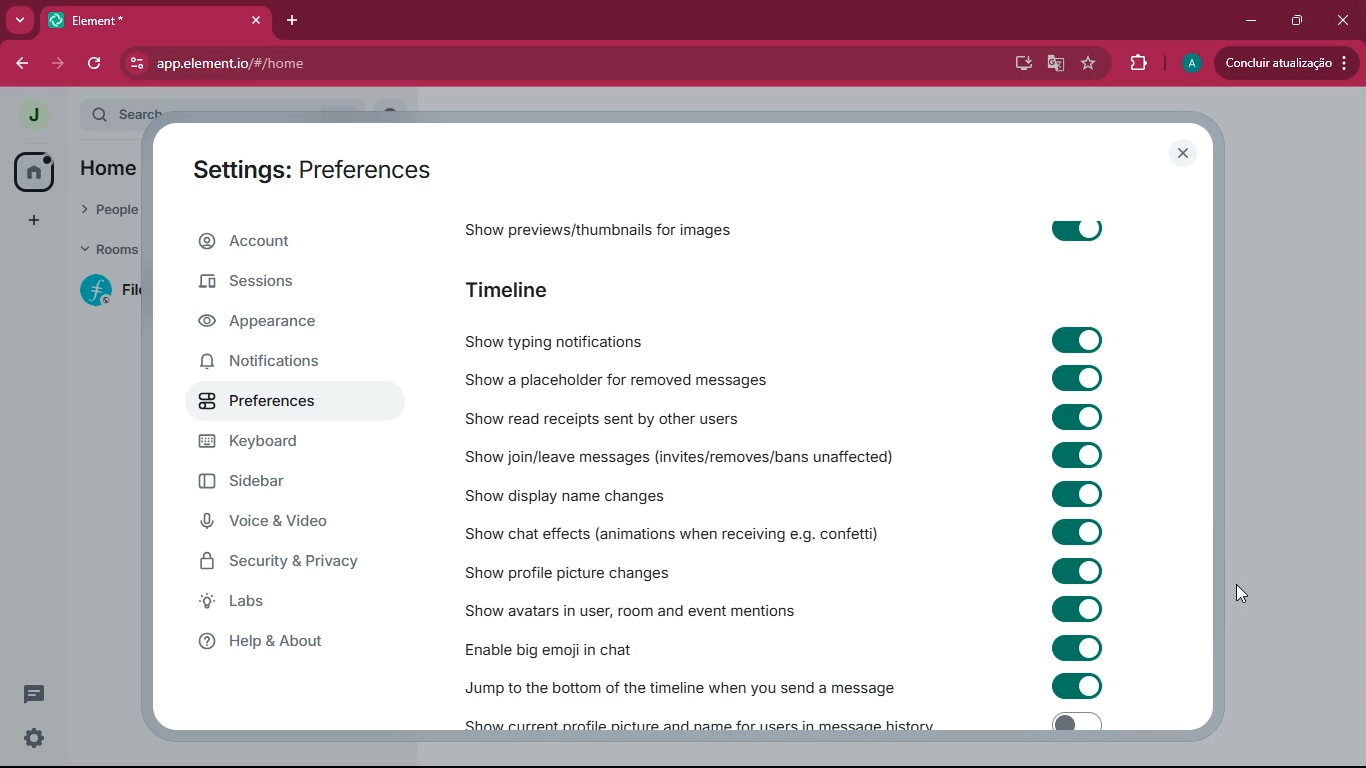 The width and height of the screenshot is (1366, 768). I want to click on appearance, so click(282, 322).